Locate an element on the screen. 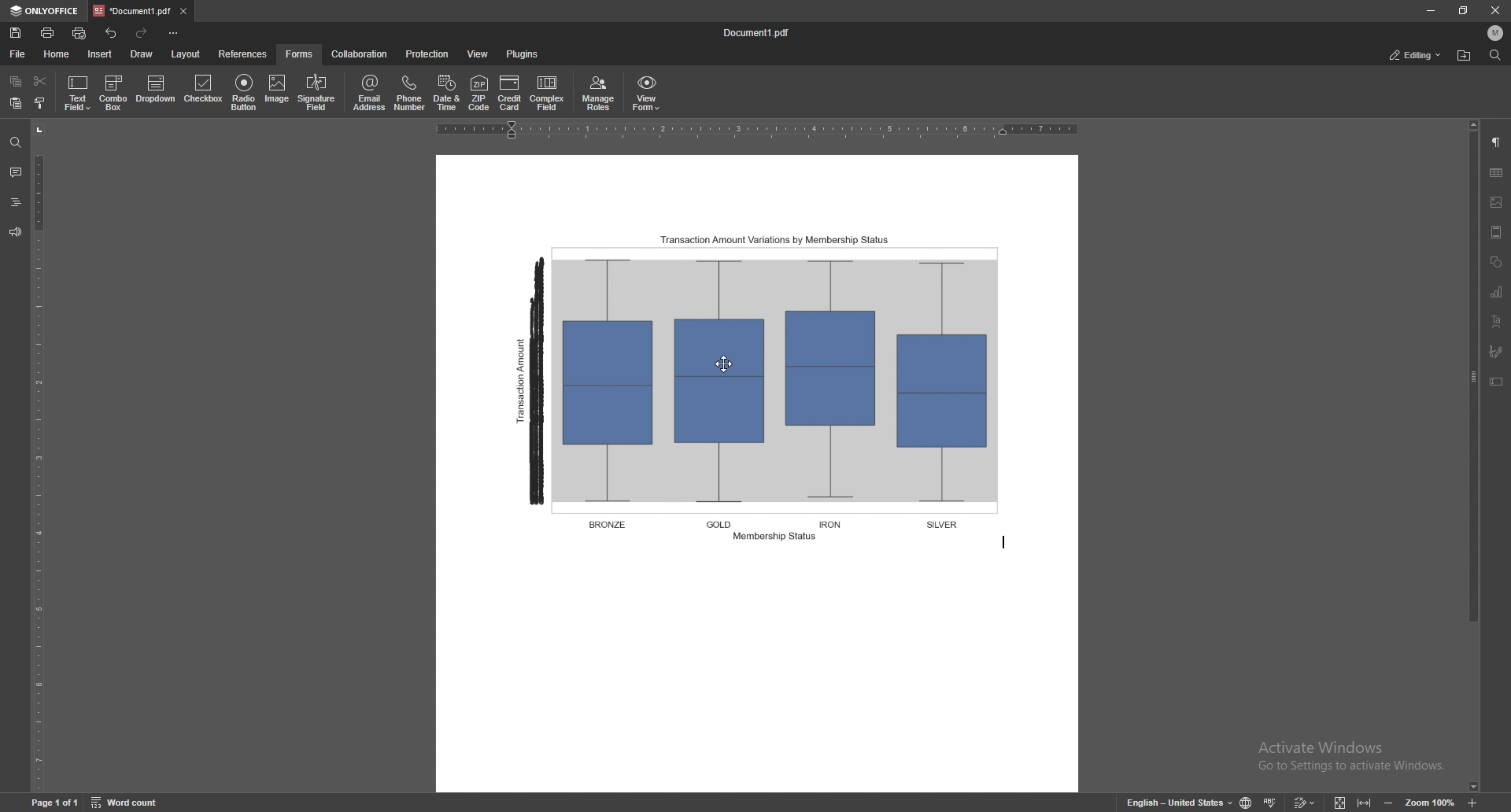  phone number is located at coordinates (411, 92).